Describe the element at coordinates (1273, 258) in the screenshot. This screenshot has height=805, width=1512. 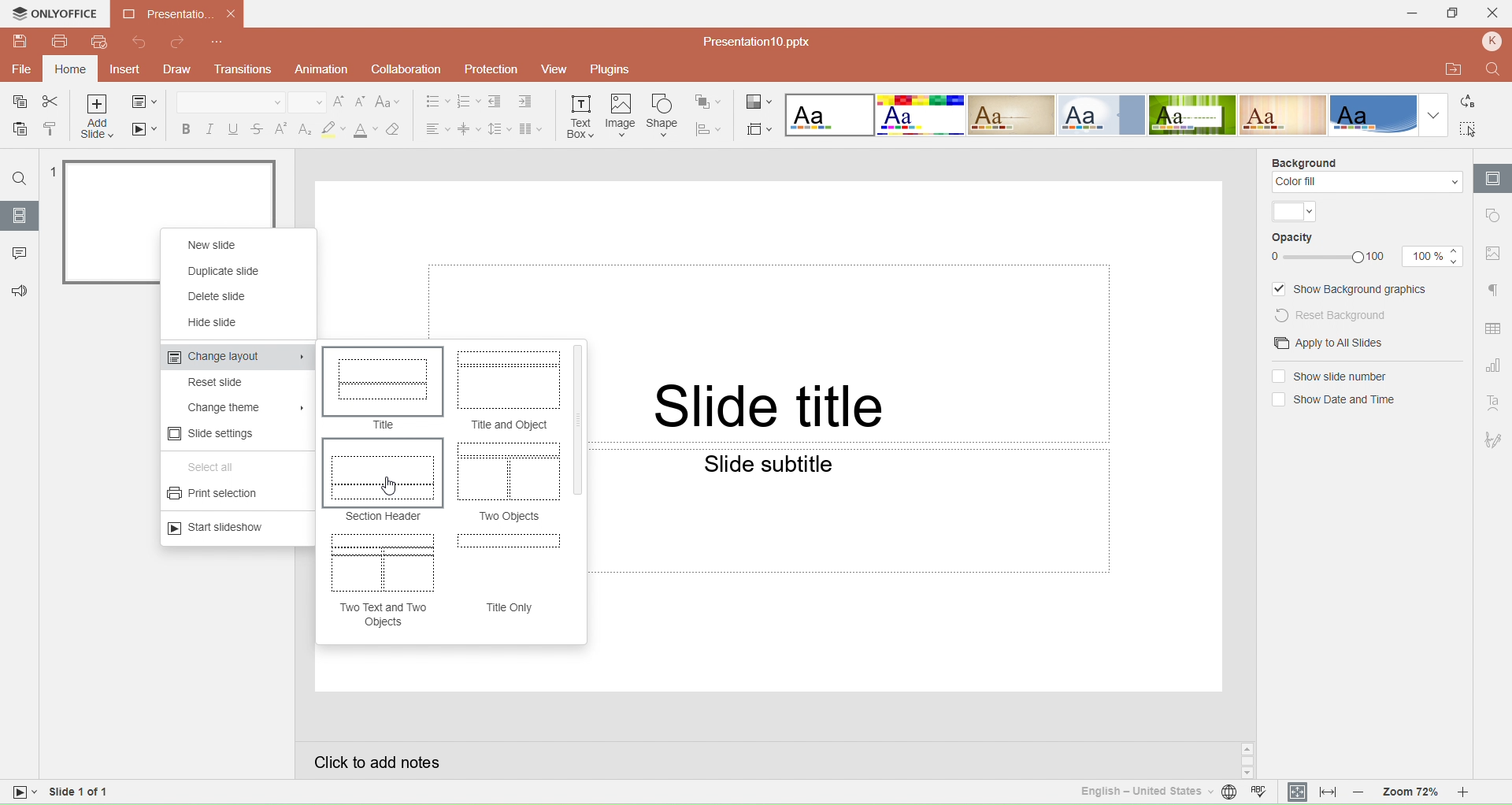
I see `0` at that location.